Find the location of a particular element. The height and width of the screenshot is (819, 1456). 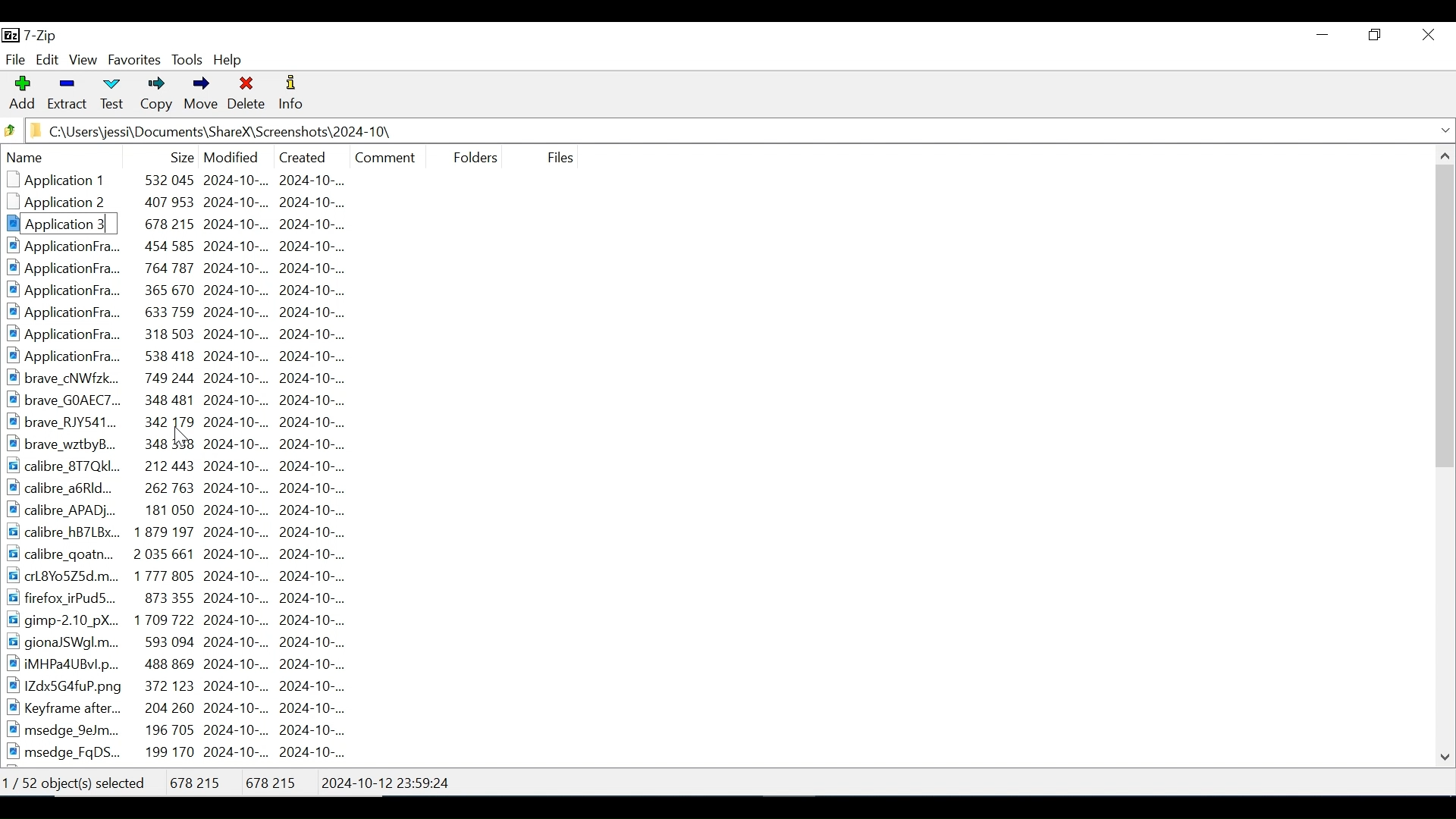

Click to Browse back is located at coordinates (10, 131).